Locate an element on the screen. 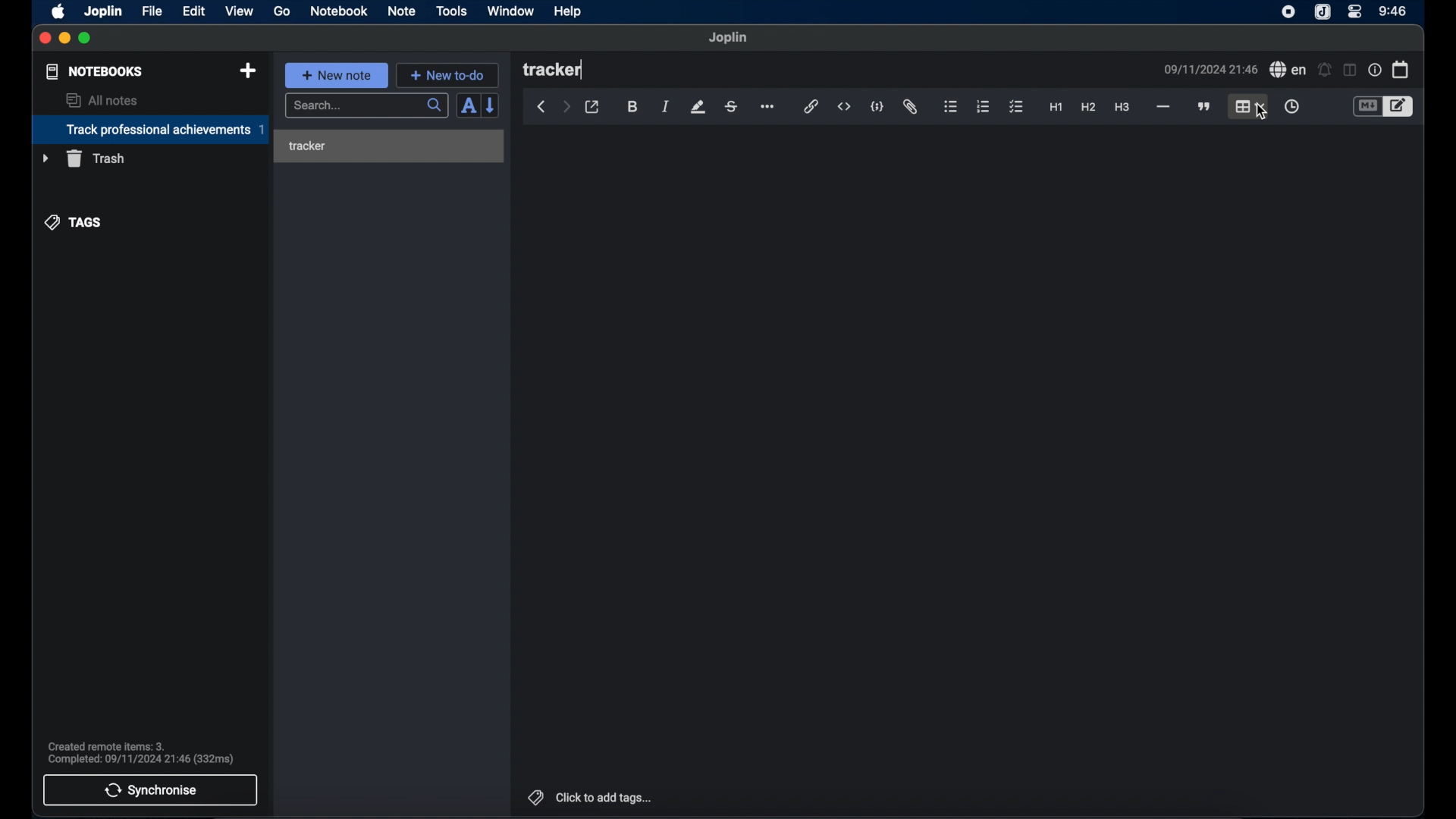  note properties is located at coordinates (1374, 70).